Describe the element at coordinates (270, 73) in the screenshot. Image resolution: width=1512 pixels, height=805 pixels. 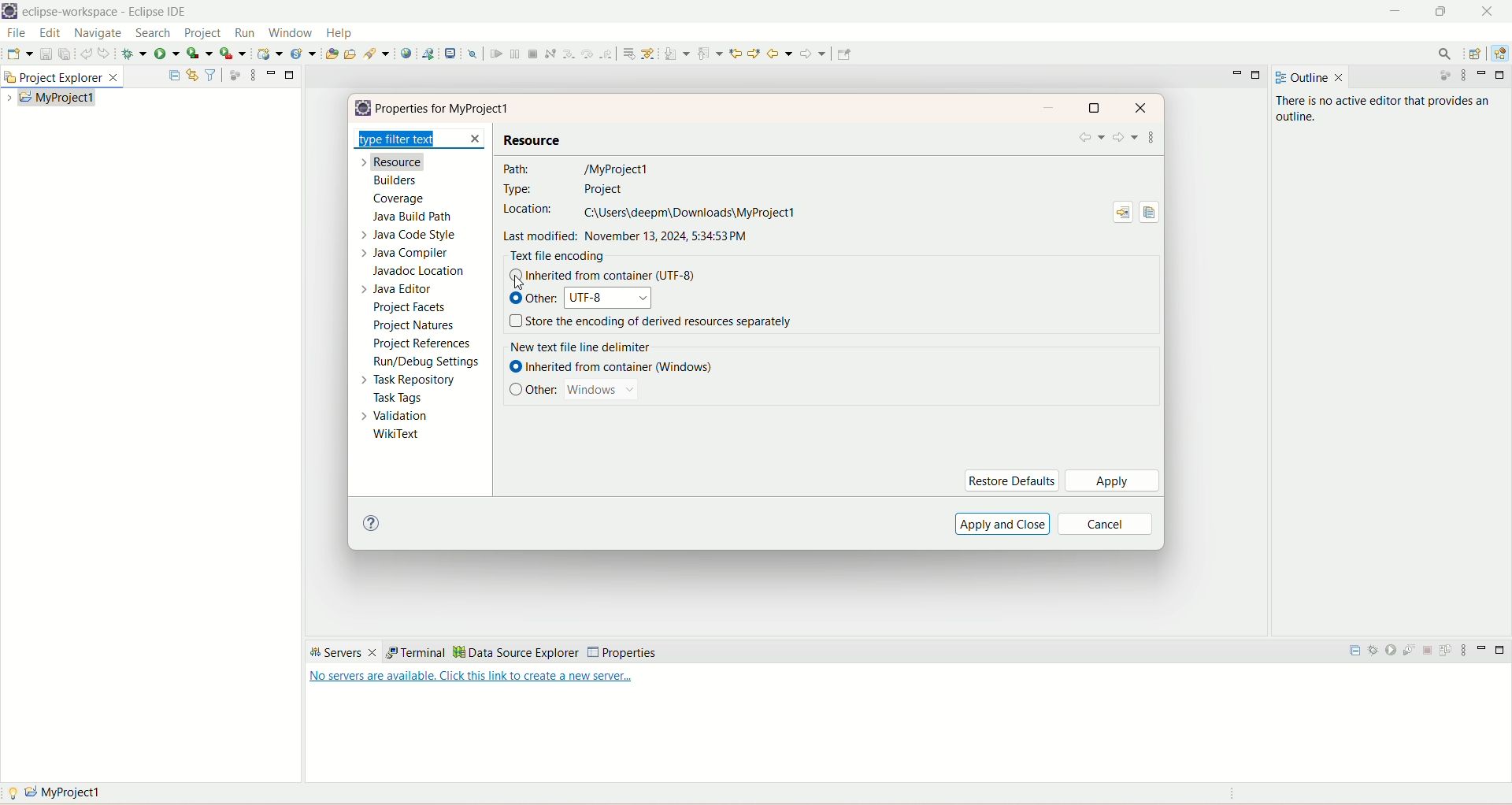
I see `minimize` at that location.